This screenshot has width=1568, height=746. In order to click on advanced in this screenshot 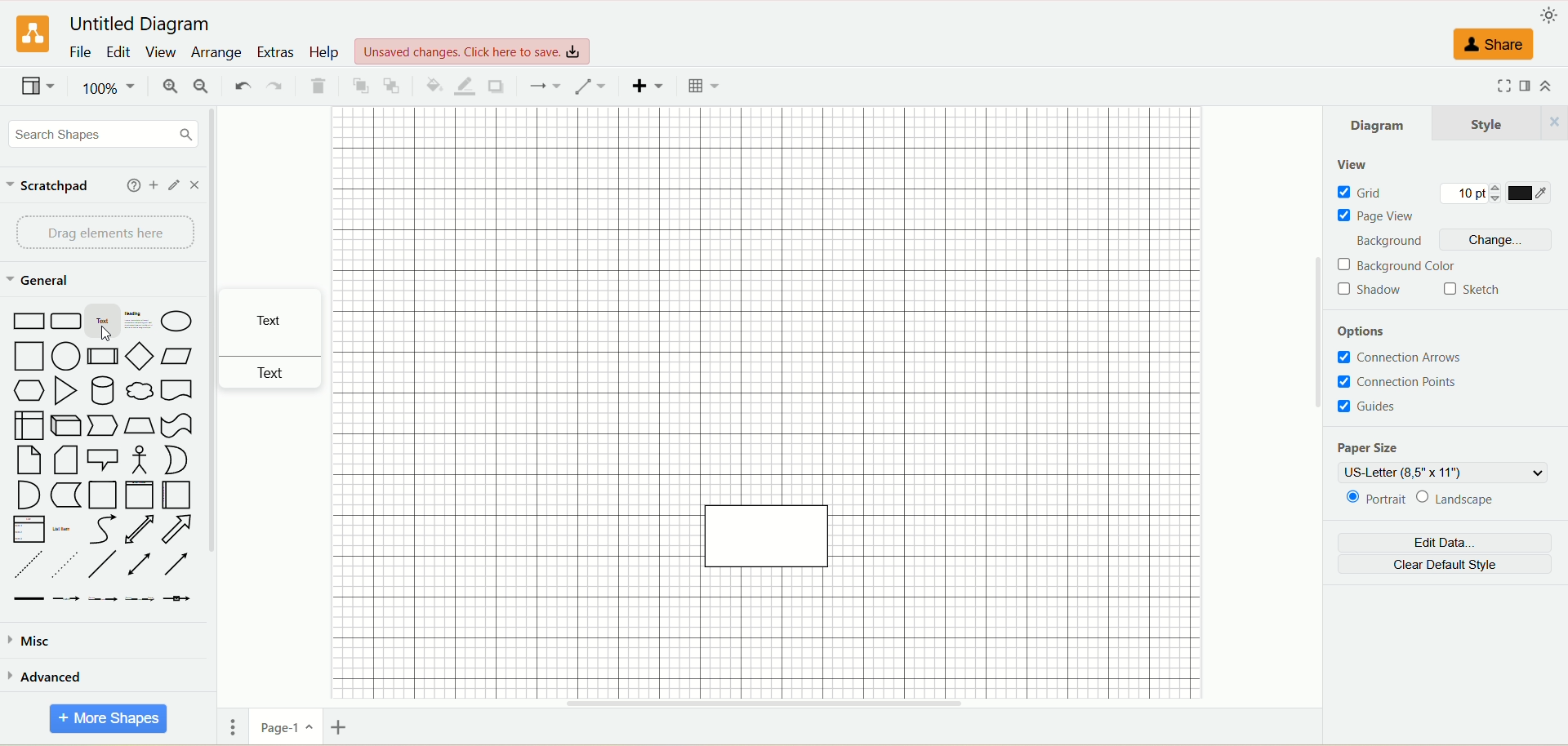, I will do `click(47, 677)`.